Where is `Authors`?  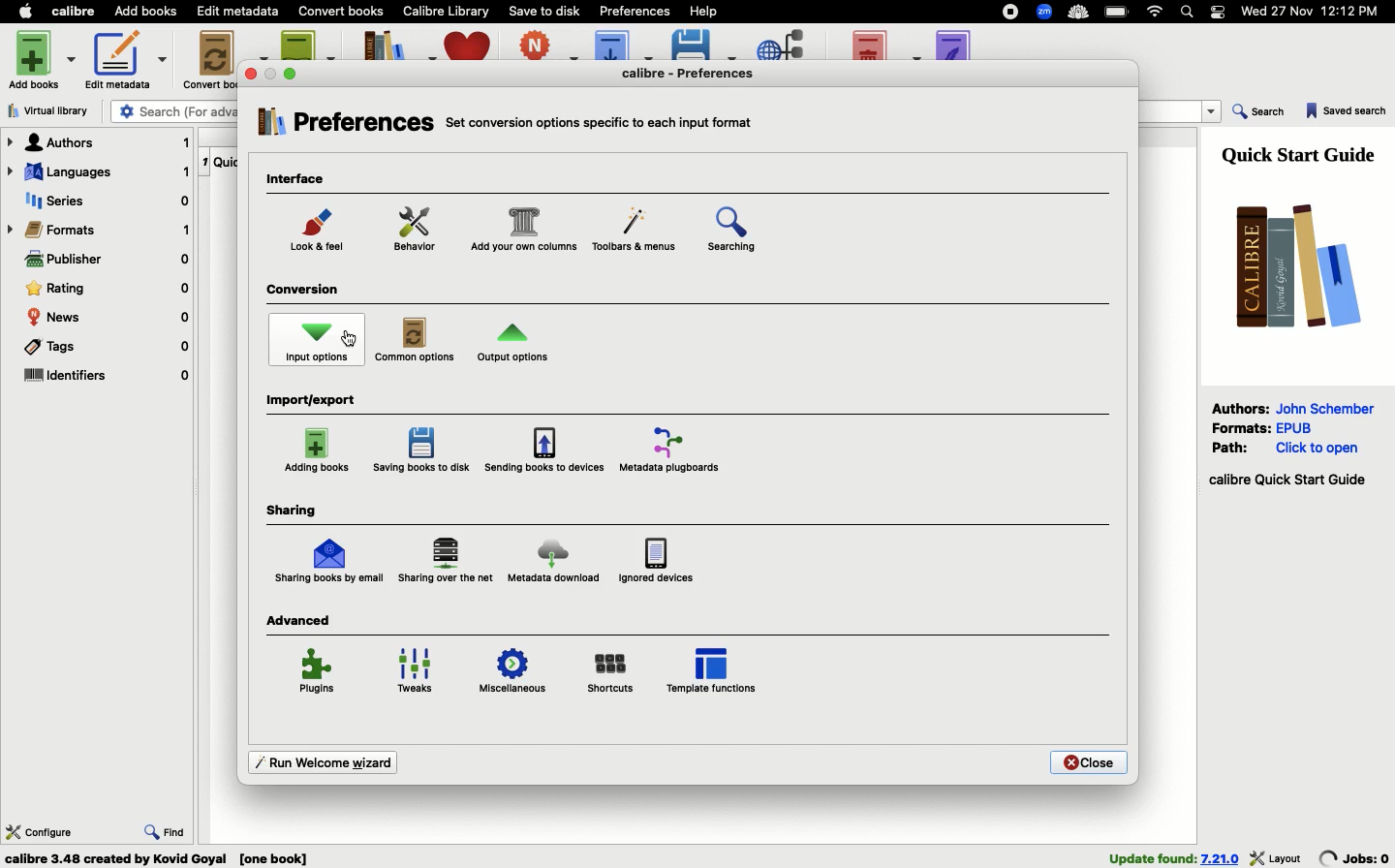 Authors is located at coordinates (1241, 408).